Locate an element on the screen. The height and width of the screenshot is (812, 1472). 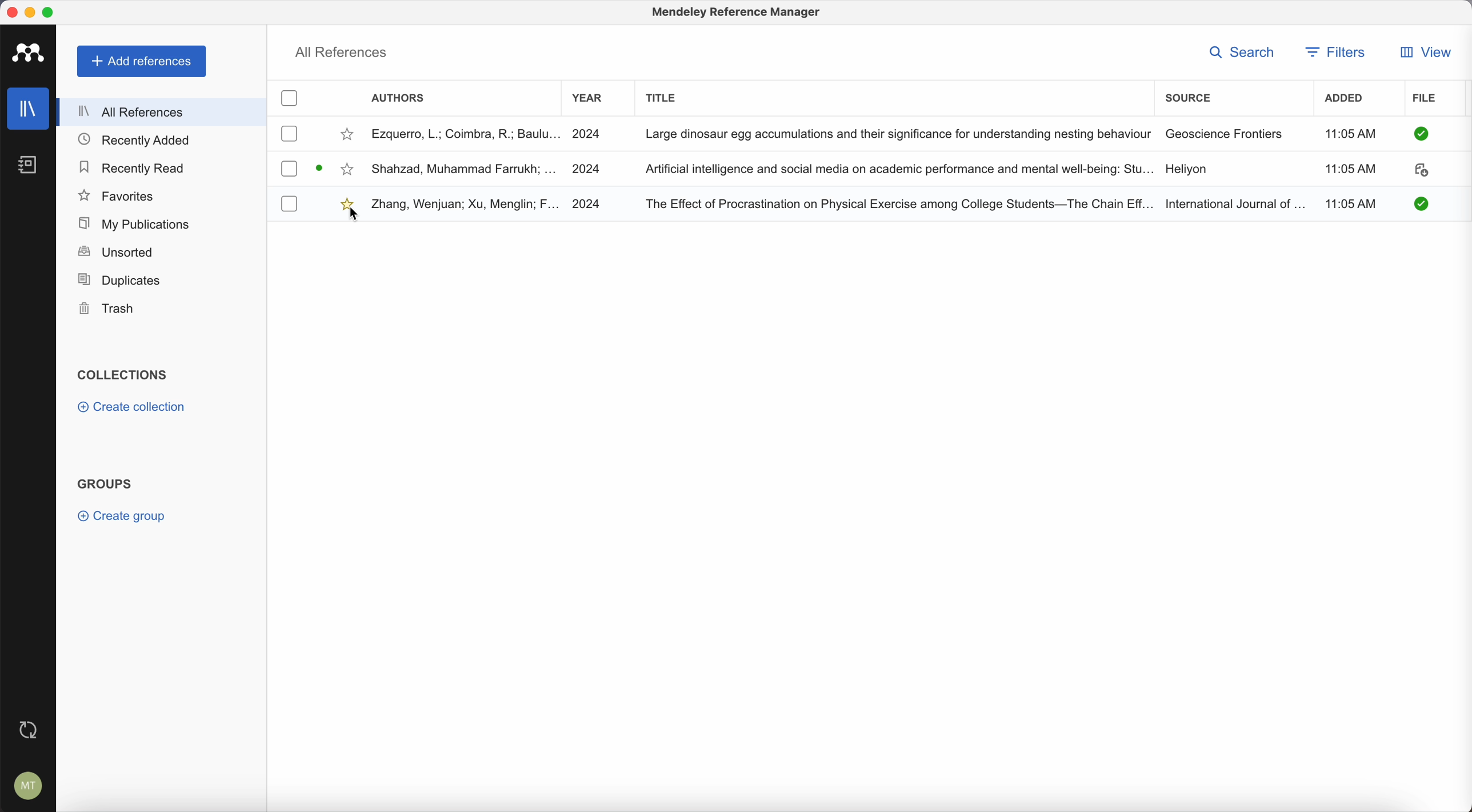
account settings is located at coordinates (26, 783).